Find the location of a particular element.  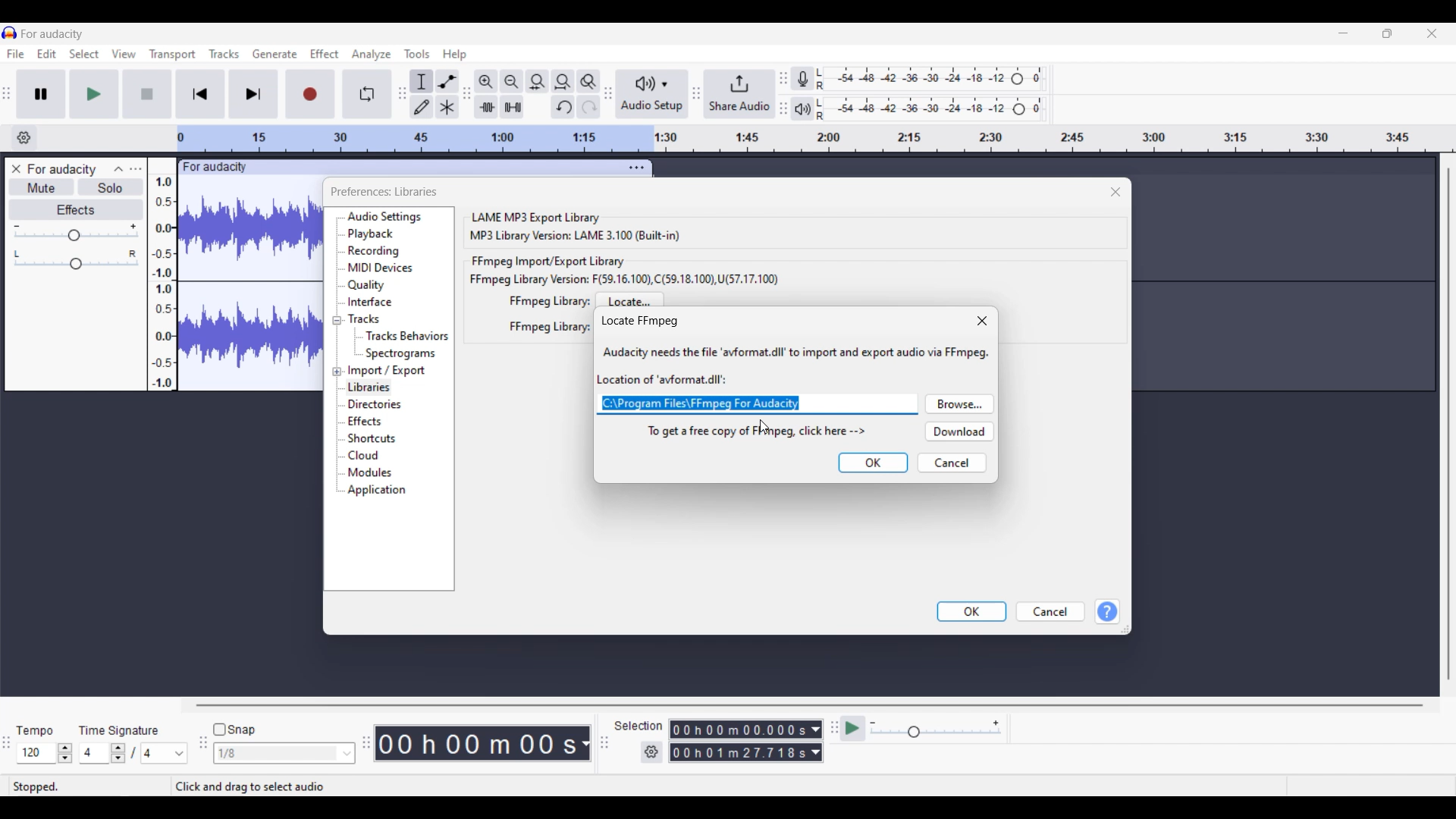

Stop is located at coordinates (147, 94).